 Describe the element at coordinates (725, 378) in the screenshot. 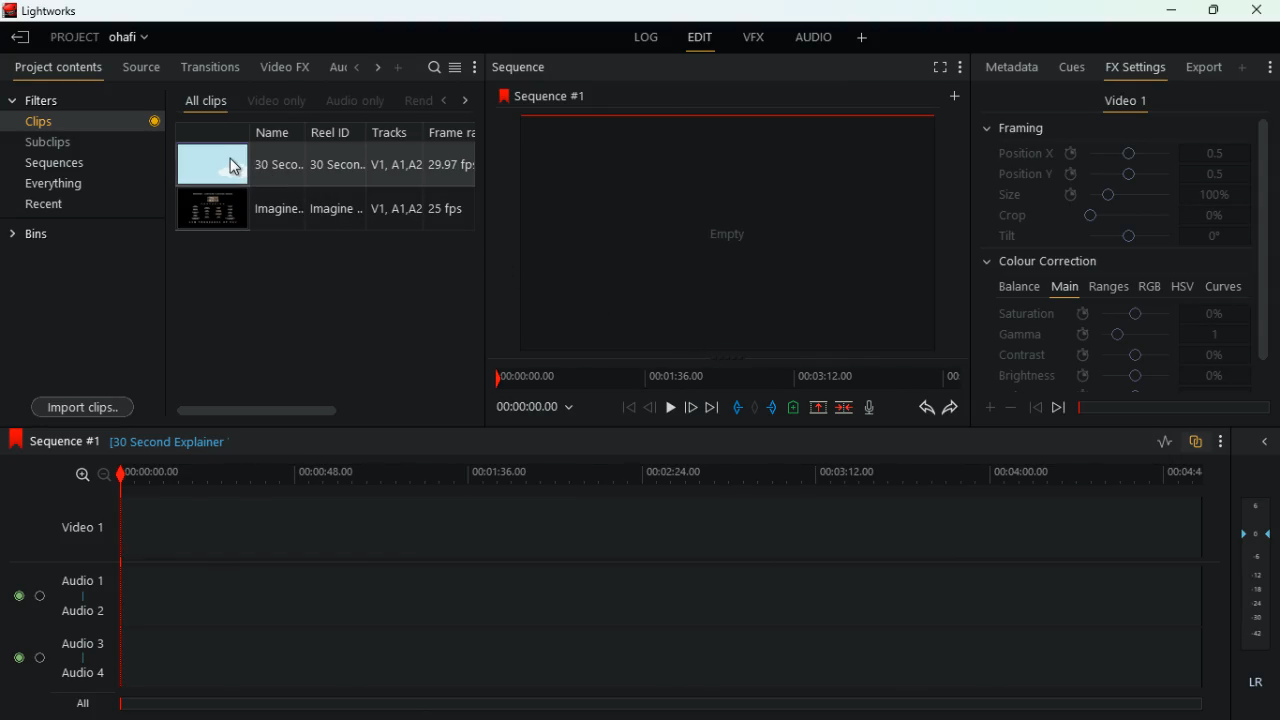

I see `time` at that location.